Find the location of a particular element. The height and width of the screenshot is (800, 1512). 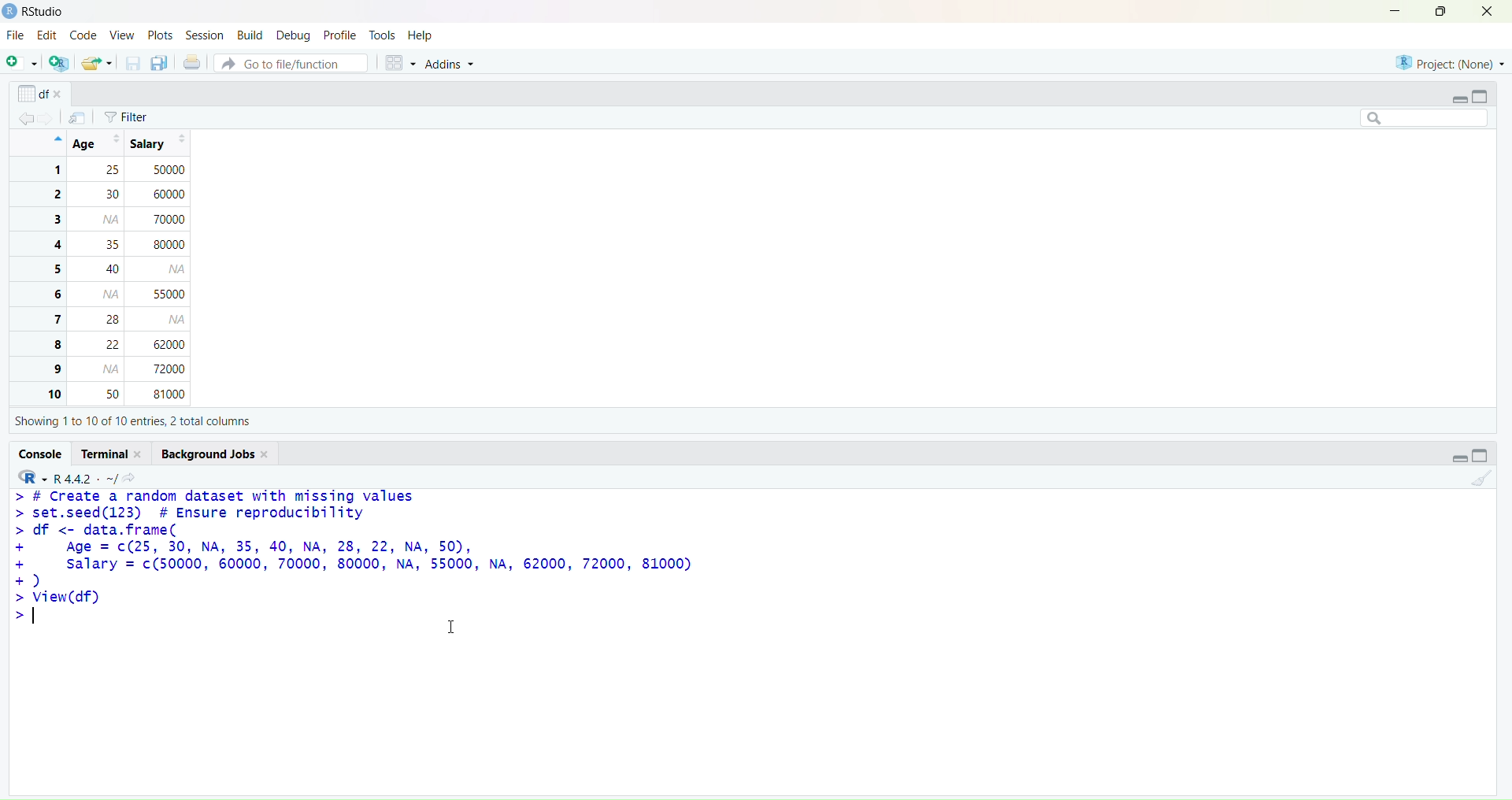

collapse is located at coordinates (1482, 94).